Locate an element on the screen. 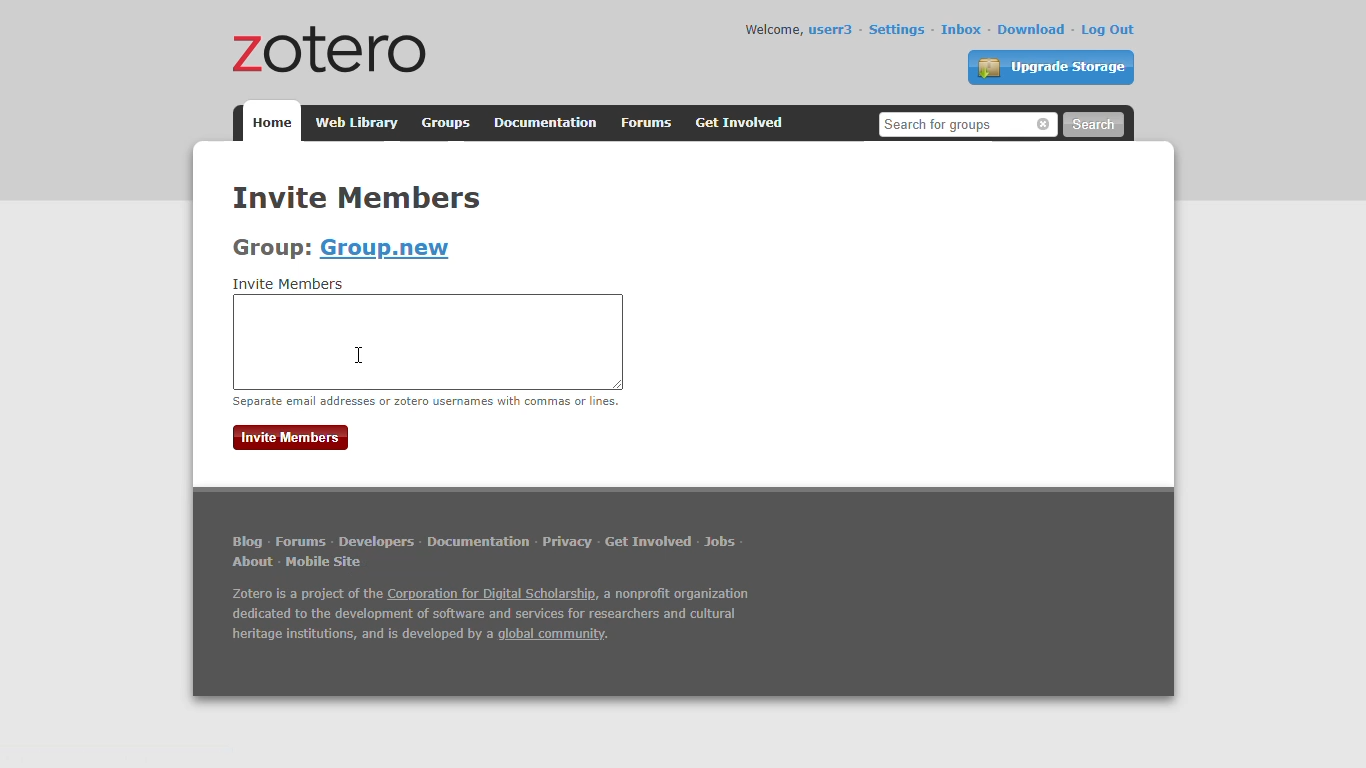 Image resolution: width=1366 pixels, height=768 pixels. Zotero is a project of the Corporation for Digital Scholarship, a nonprofit organization
dedicated to the development of software and services for researchers and cultural
heritage institutions, and is developed by a global community. is located at coordinates (490, 619).